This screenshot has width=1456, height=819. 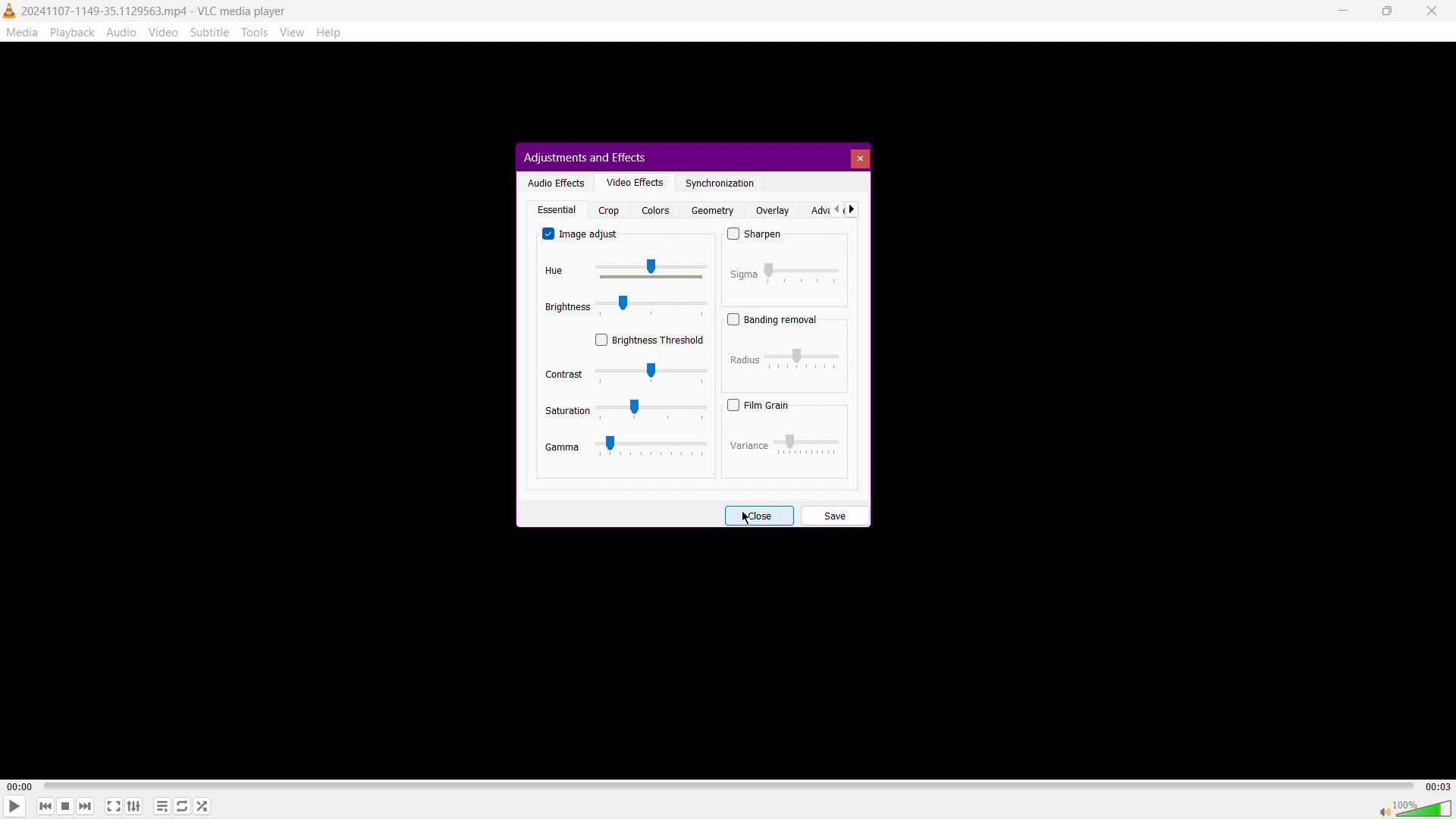 What do you see at coordinates (86, 808) in the screenshot?
I see `Skip Forward` at bounding box center [86, 808].